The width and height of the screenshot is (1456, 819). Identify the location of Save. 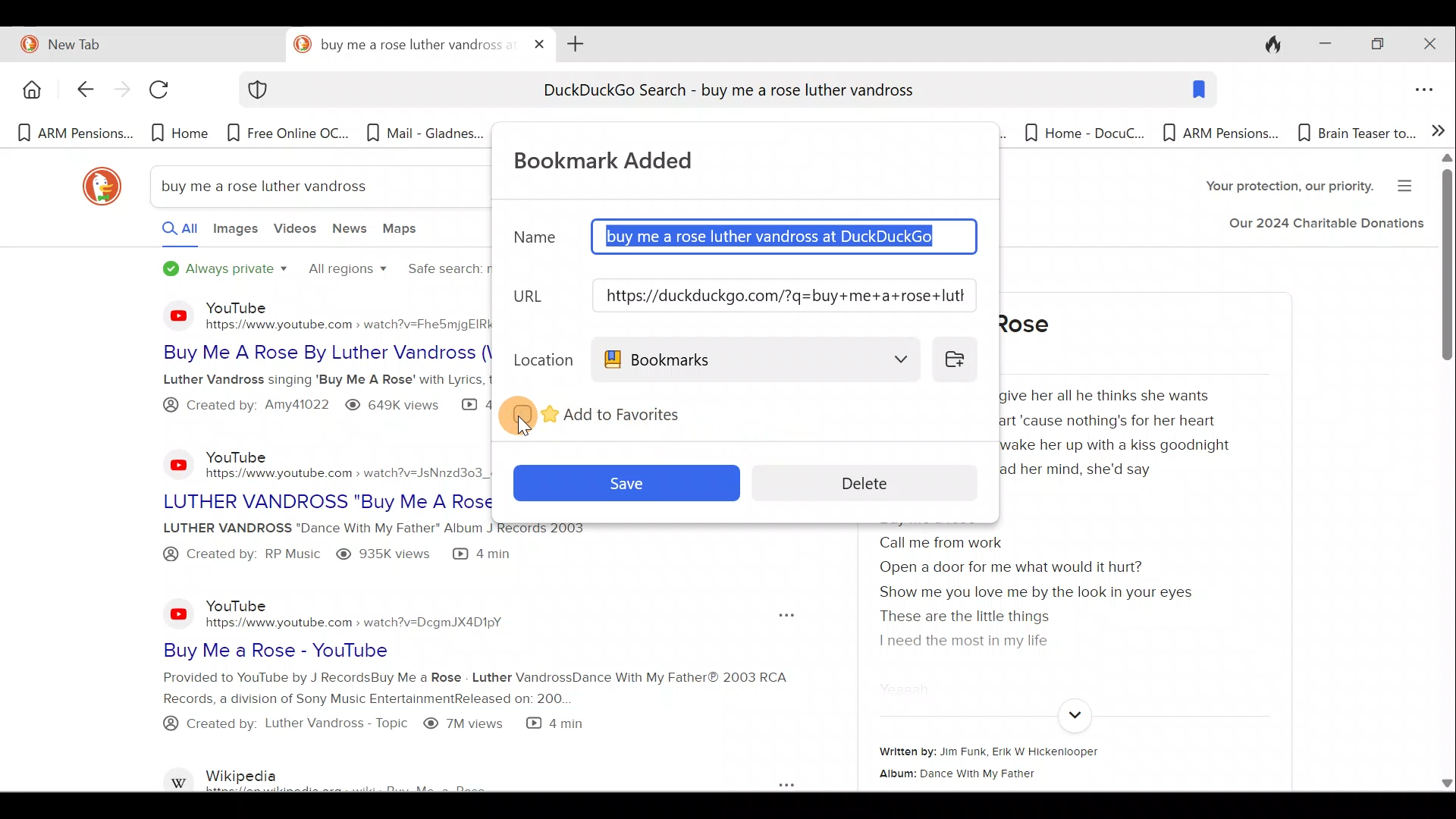
(624, 480).